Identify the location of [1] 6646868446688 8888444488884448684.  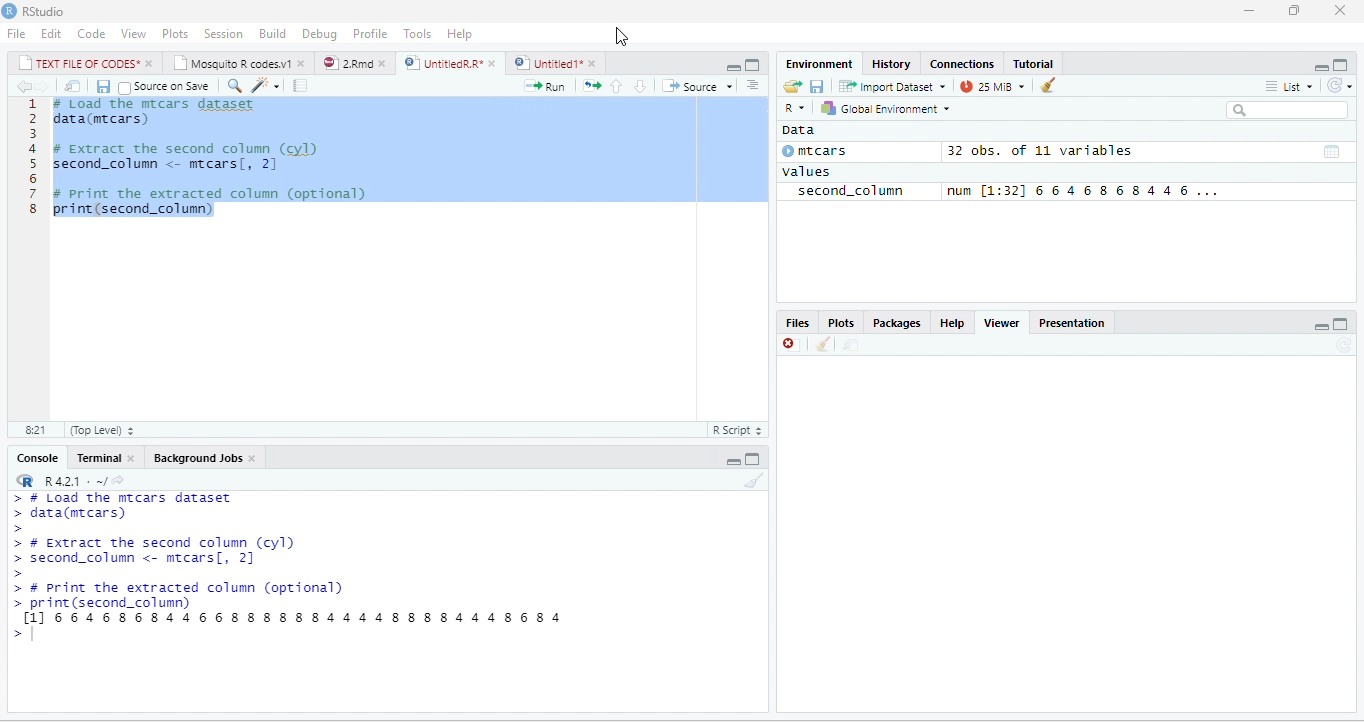
(290, 619).